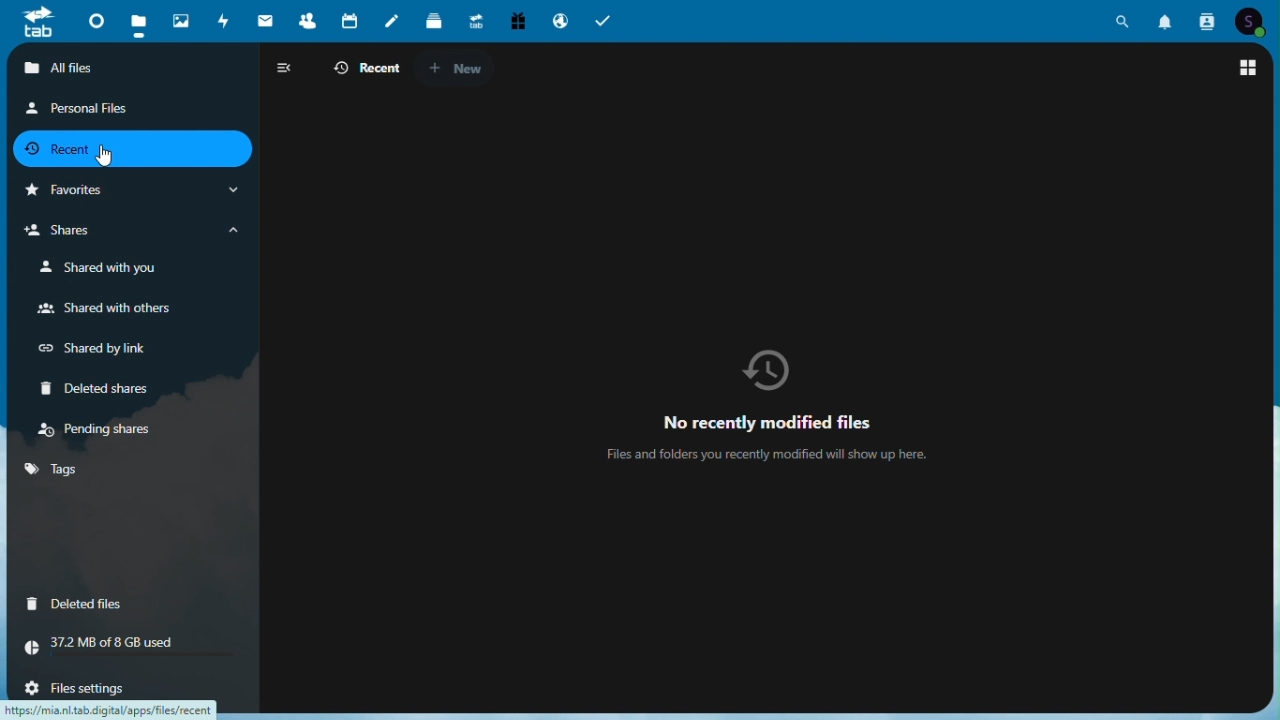 The width and height of the screenshot is (1280, 720). I want to click on Pending shares, so click(102, 431).